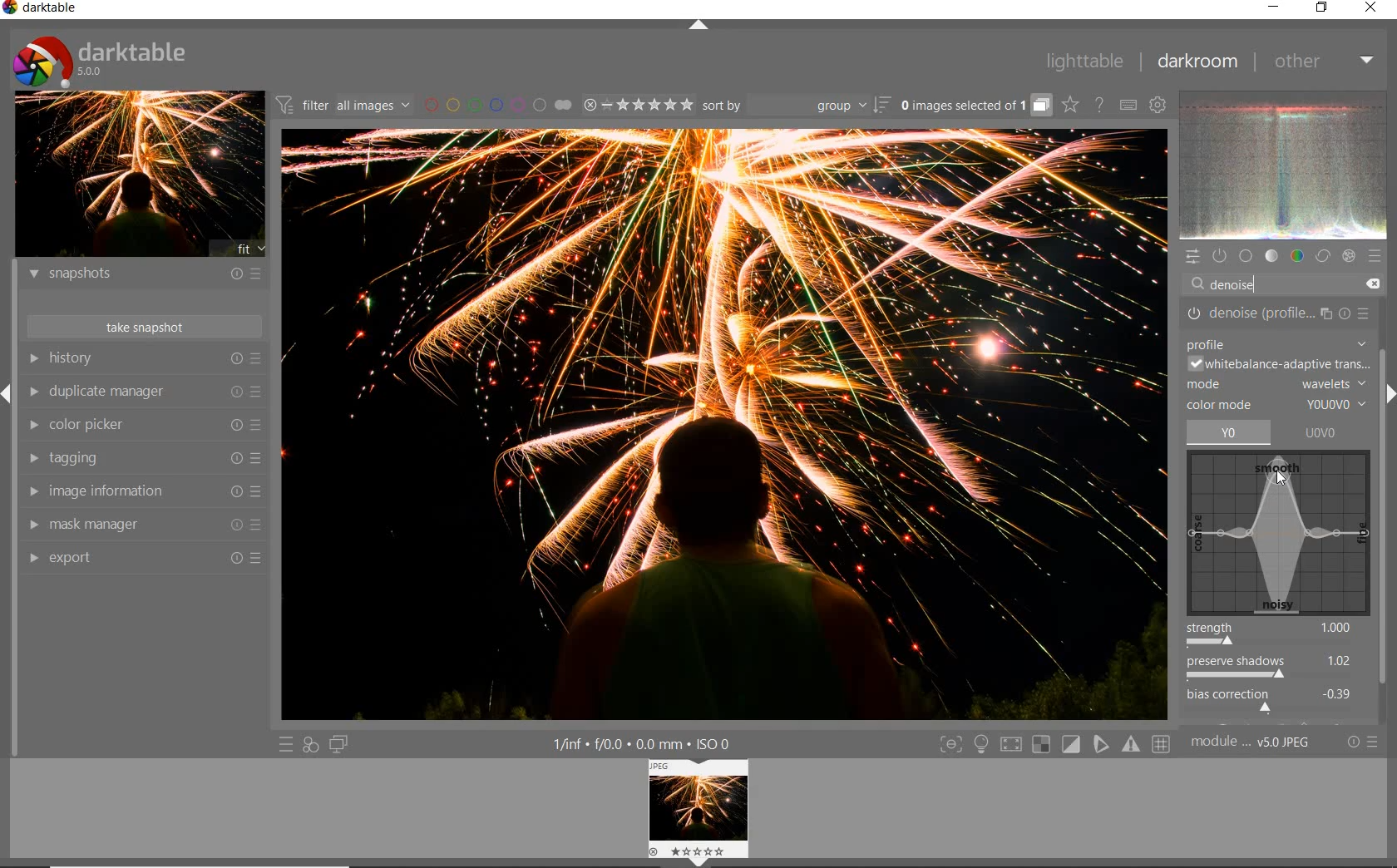  I want to click on Darktable 5.0.0, so click(99, 61).